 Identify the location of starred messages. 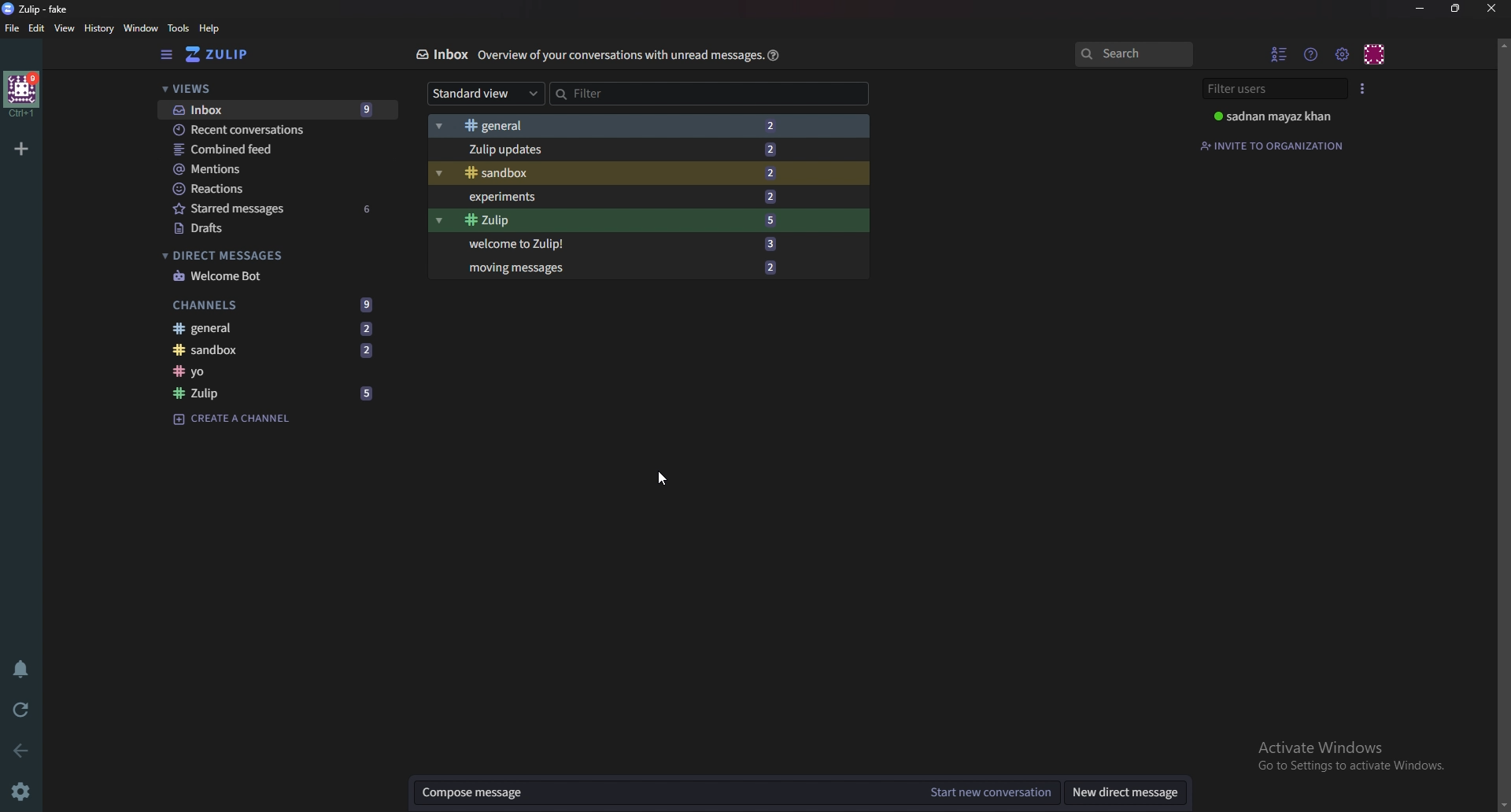
(273, 209).